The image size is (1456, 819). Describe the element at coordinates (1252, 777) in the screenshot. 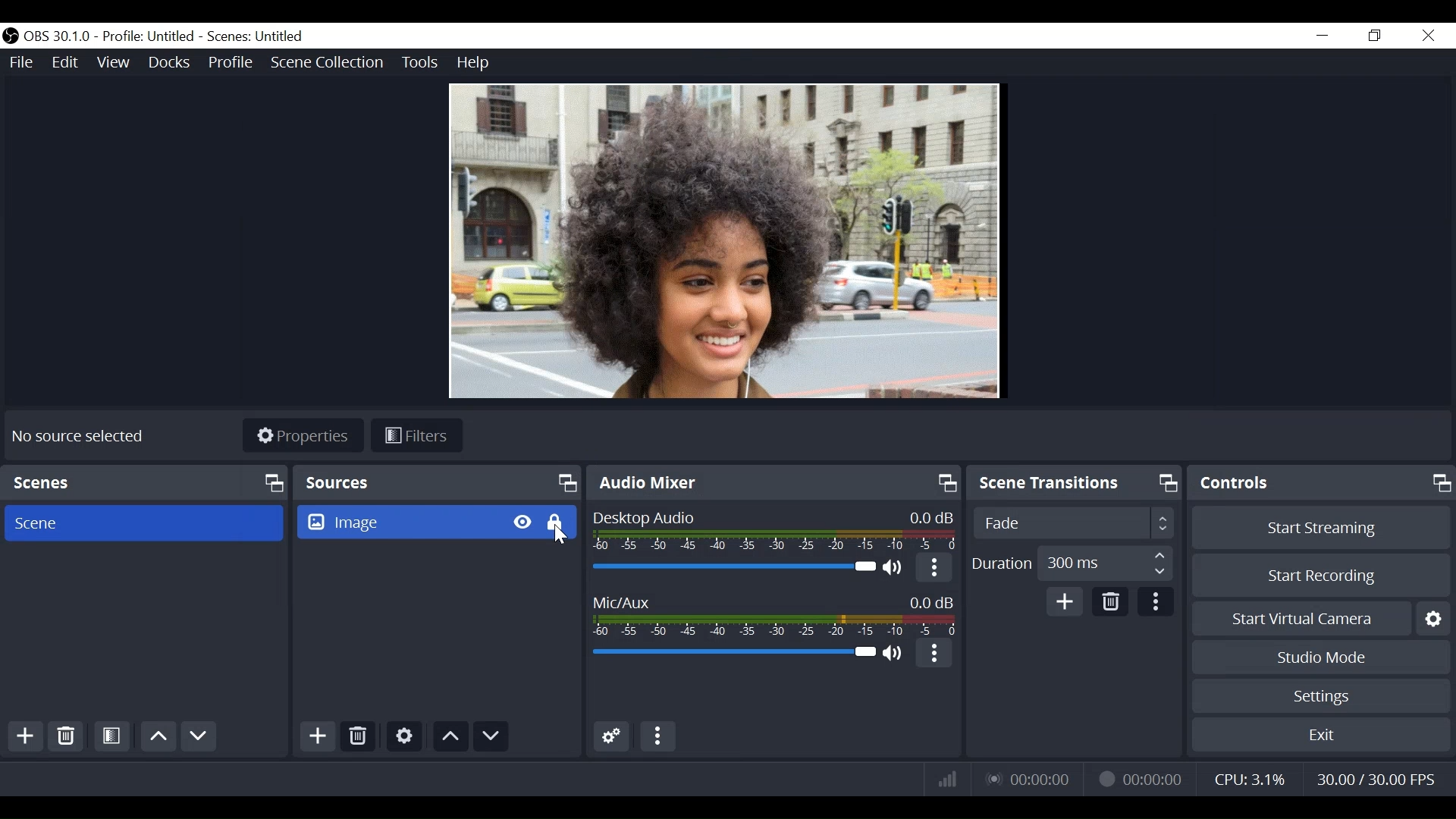

I see `CPU: 3.1%` at that location.